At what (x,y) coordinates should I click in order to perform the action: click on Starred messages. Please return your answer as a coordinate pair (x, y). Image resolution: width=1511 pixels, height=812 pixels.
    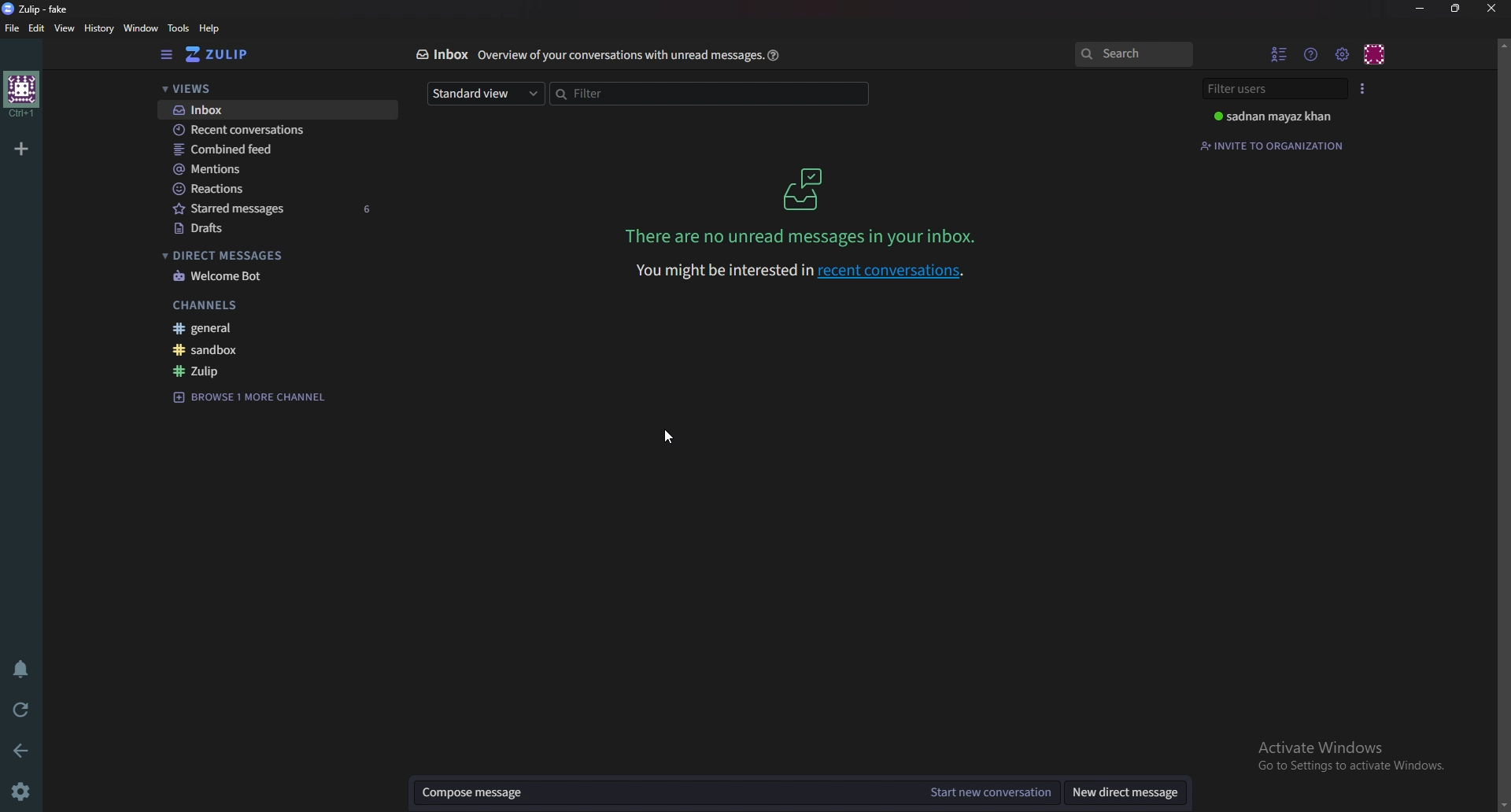
    Looking at the image, I should click on (283, 209).